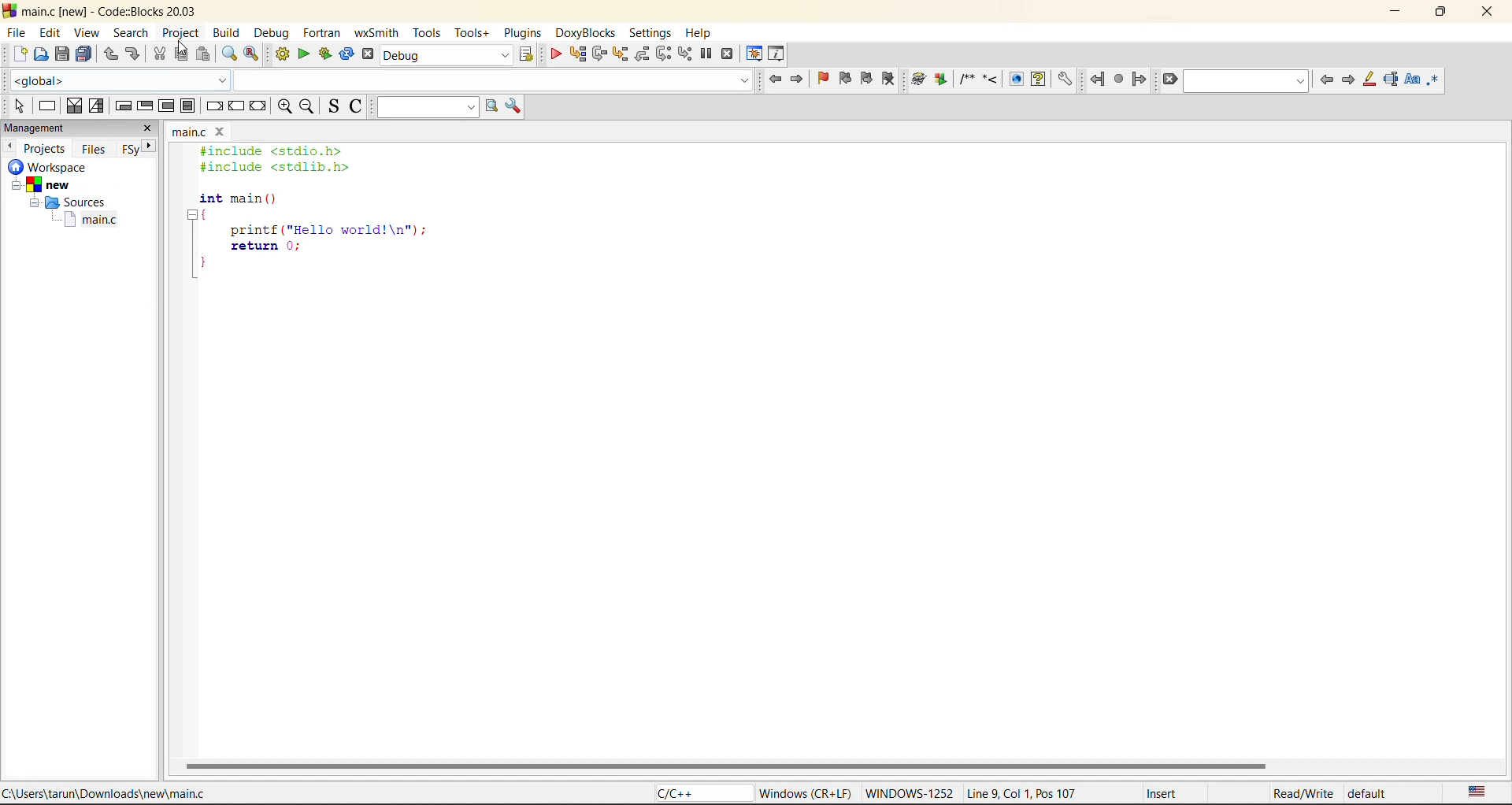 The height and width of the screenshot is (805, 1512). I want to click on undo, so click(109, 54).